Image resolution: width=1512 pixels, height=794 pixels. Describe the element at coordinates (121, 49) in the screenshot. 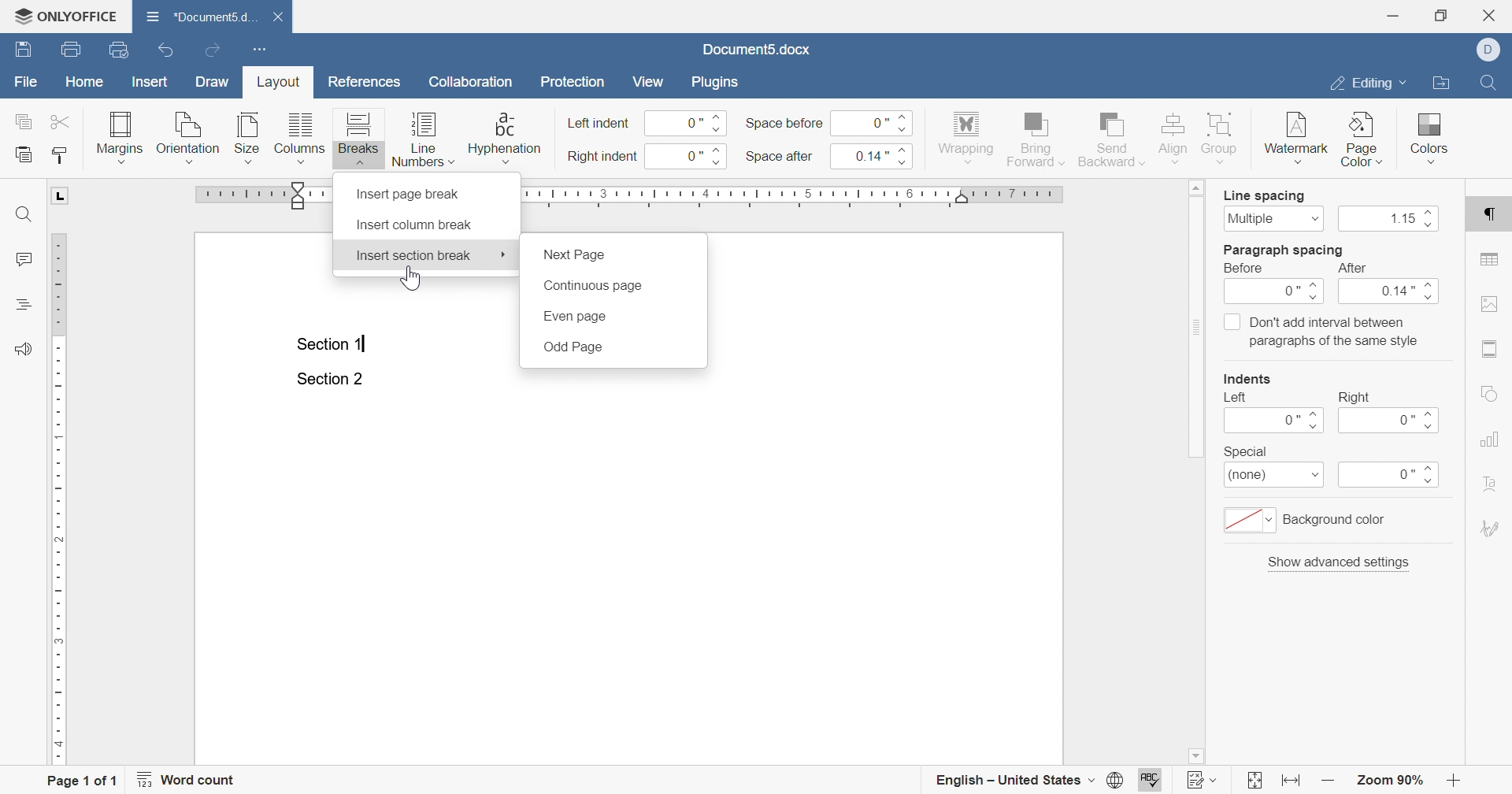

I see `quick print` at that location.